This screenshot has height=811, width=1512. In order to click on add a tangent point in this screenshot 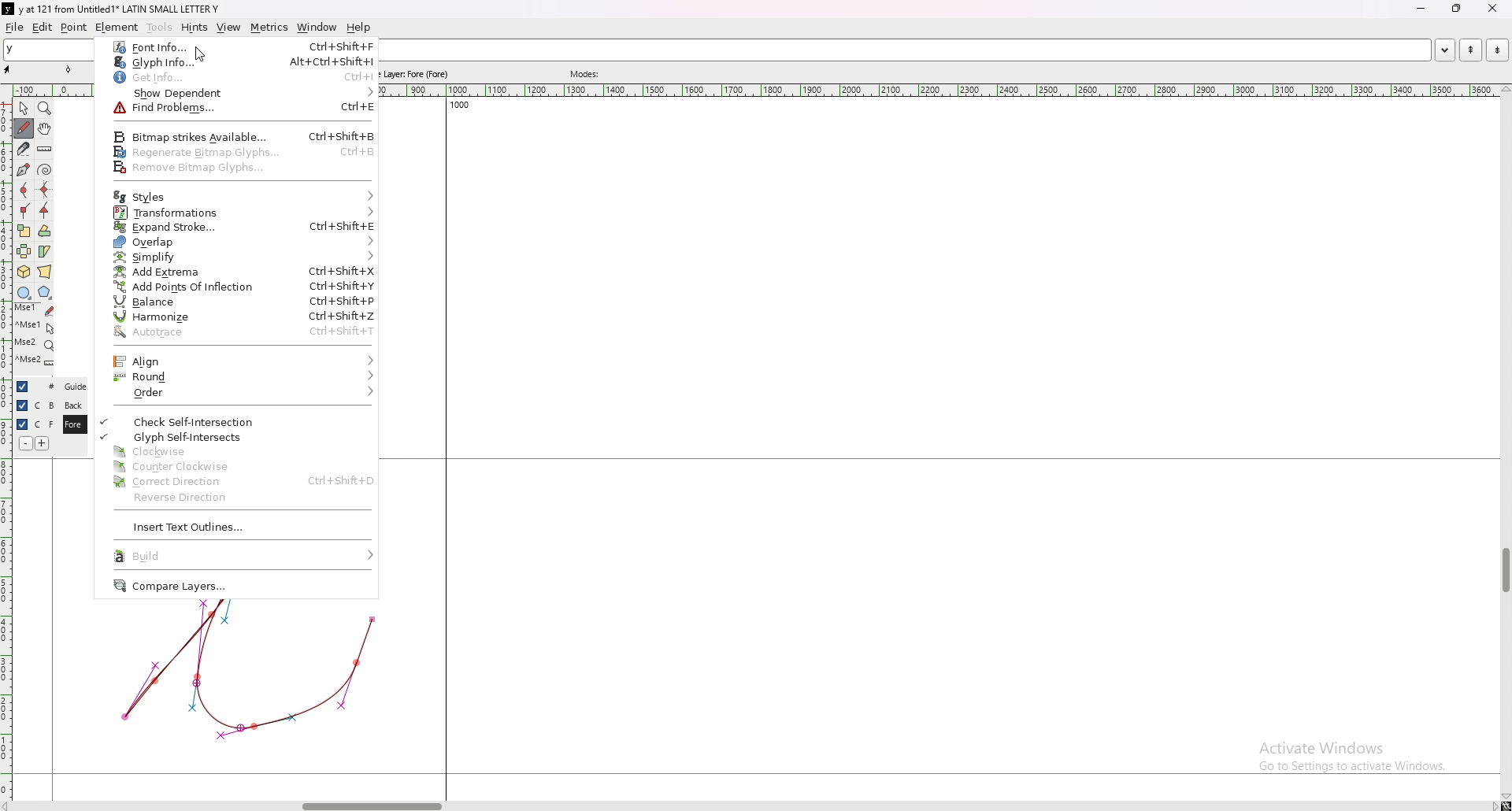, I will do `click(45, 211)`.